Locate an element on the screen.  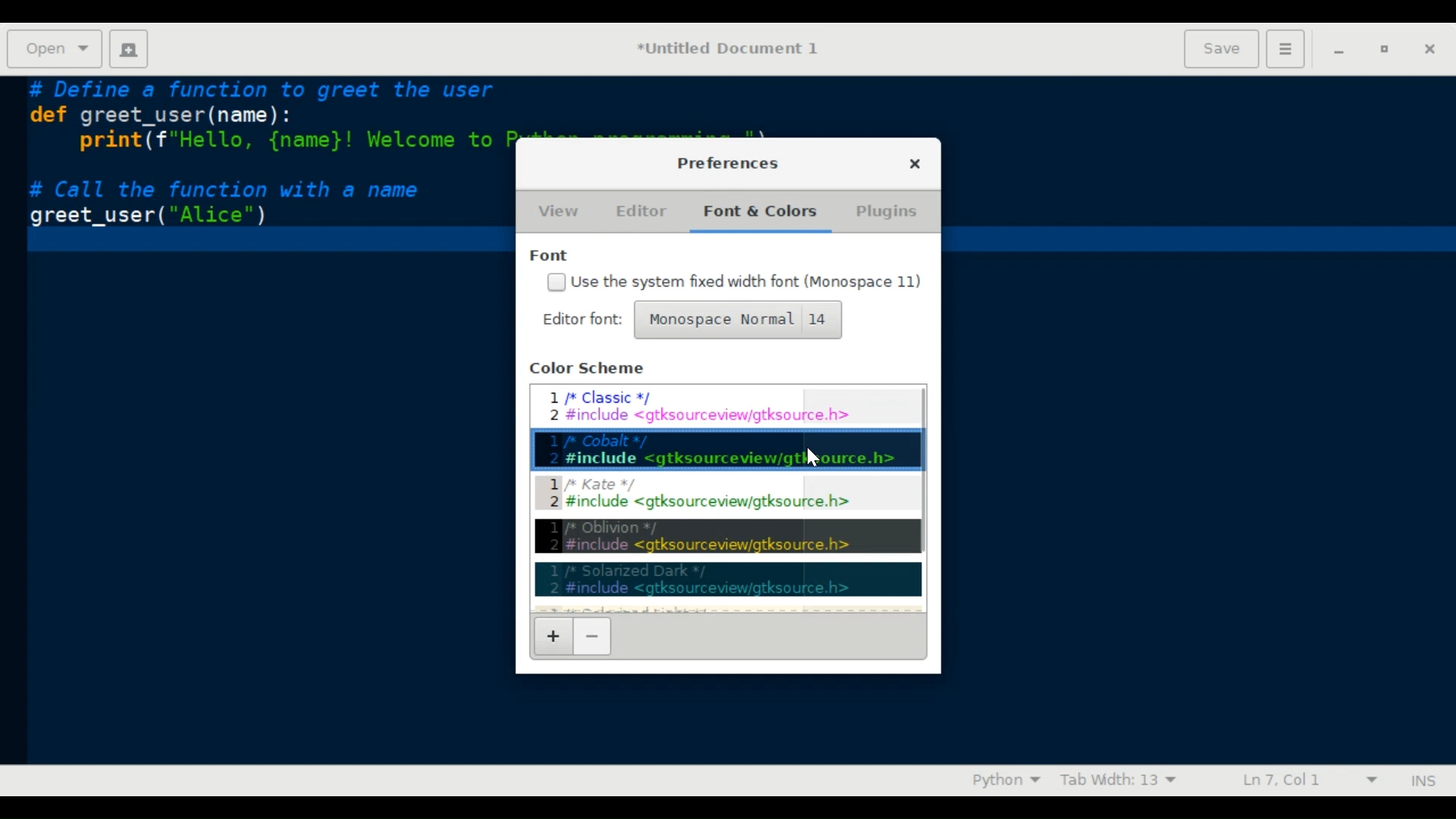
Highlighting mode is located at coordinates (1005, 780).